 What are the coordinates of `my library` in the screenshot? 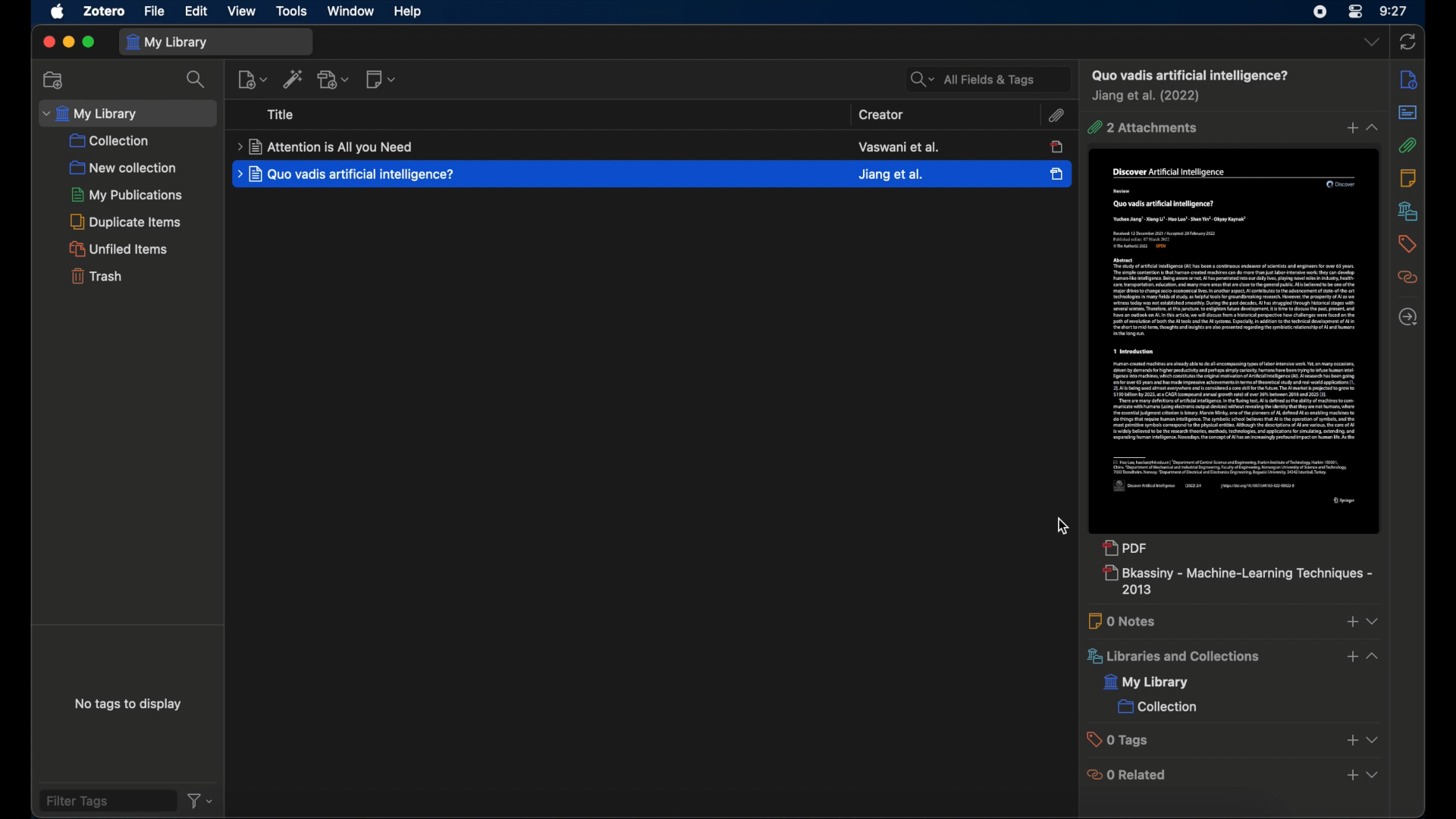 It's located at (1149, 682).